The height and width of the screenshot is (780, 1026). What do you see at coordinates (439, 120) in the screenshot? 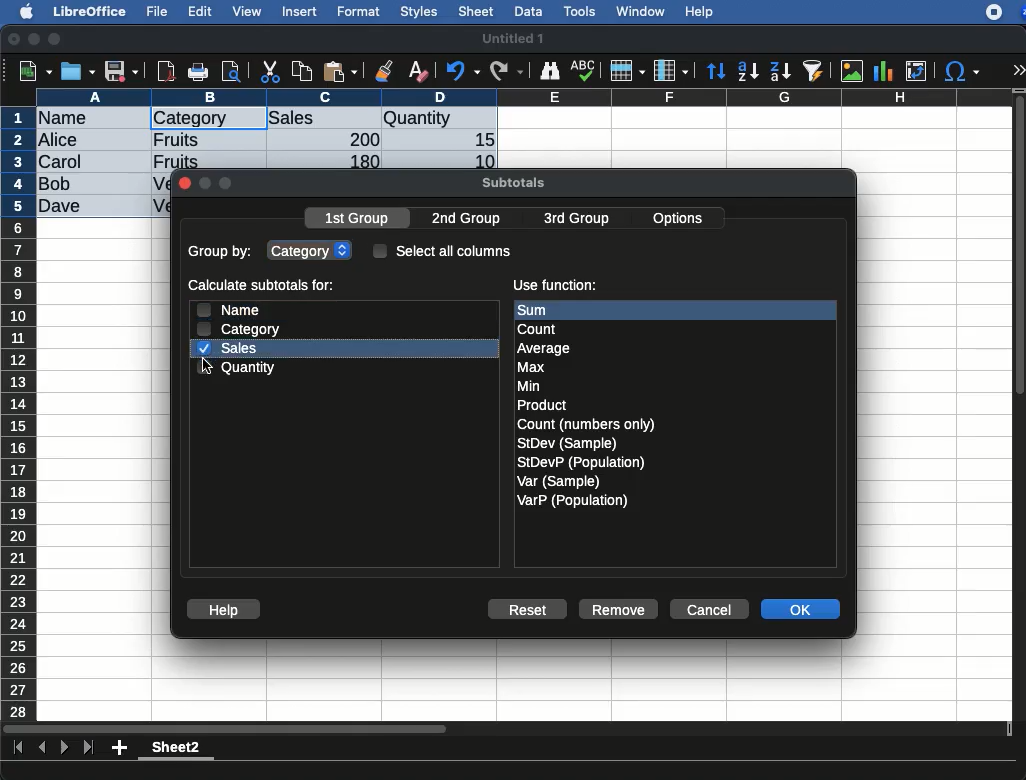
I see `quantity` at bounding box center [439, 120].